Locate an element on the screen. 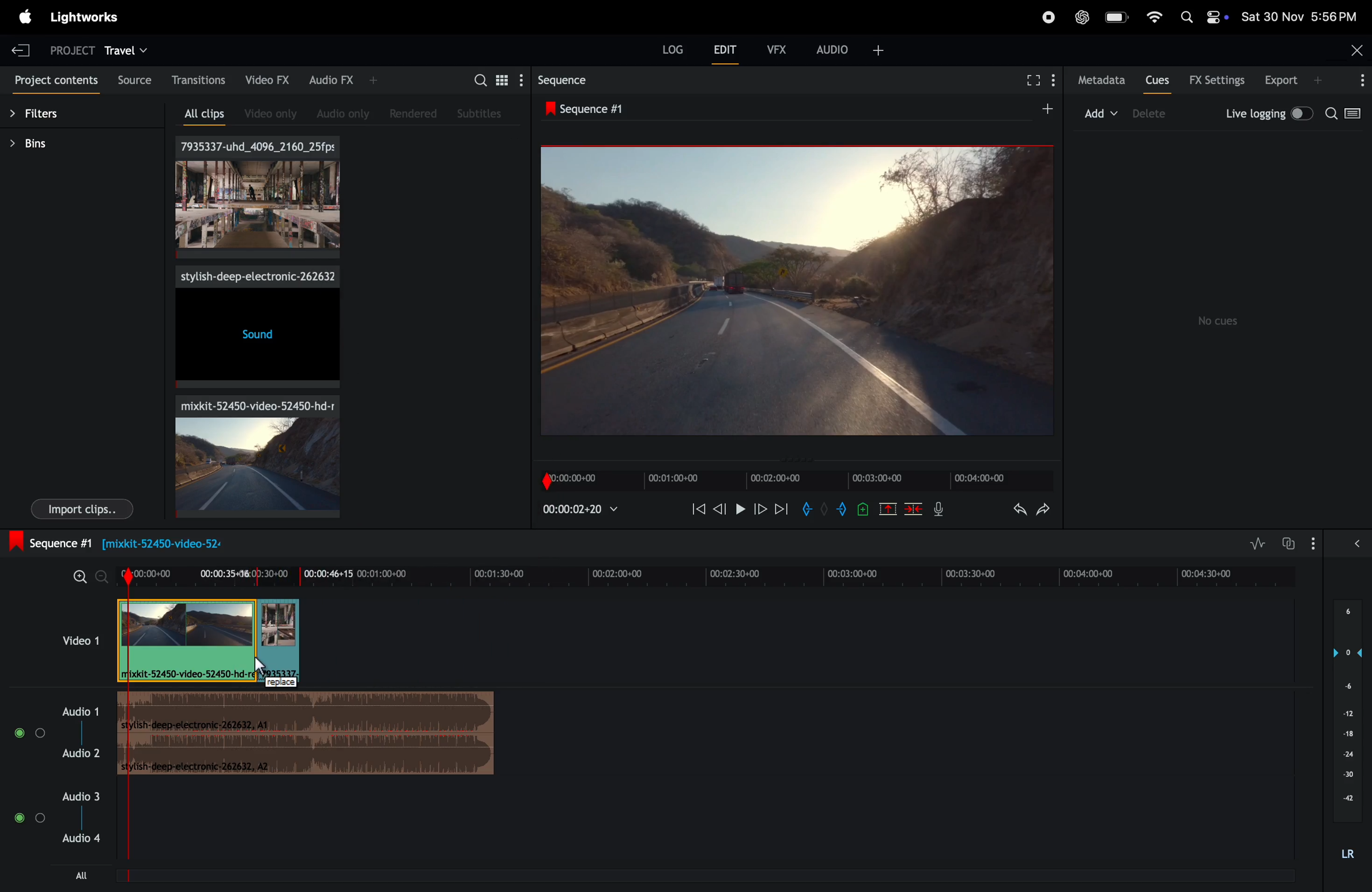  import clips is located at coordinates (82, 510).